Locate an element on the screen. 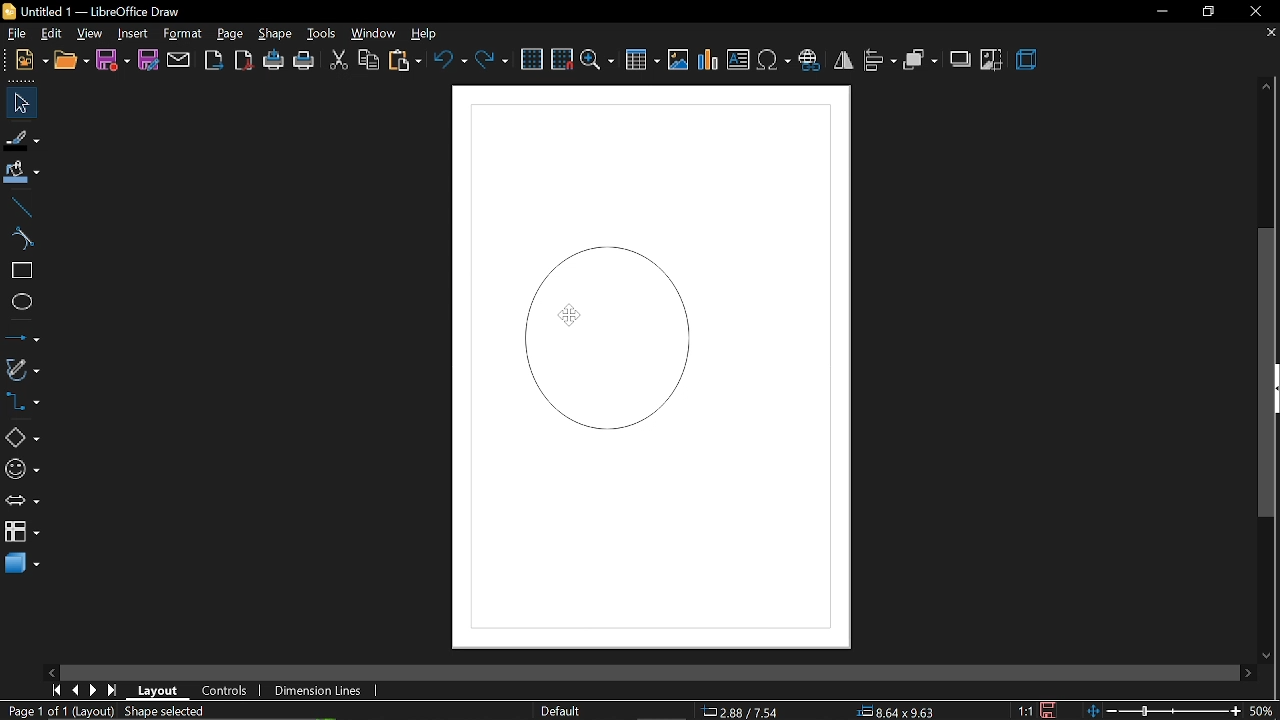  export is located at coordinates (211, 60).